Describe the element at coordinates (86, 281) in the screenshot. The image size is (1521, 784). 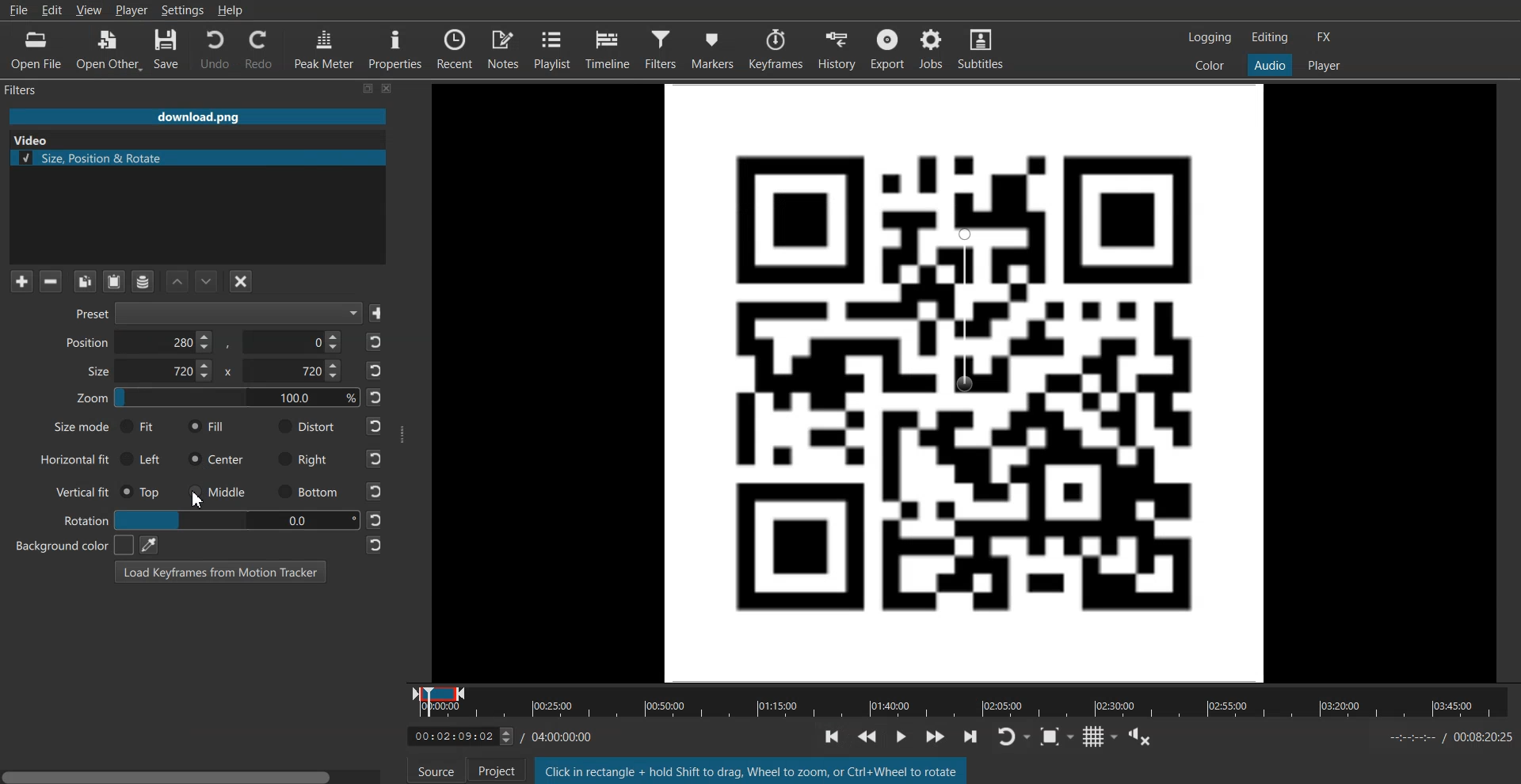
I see `Copy checked Filter` at that location.